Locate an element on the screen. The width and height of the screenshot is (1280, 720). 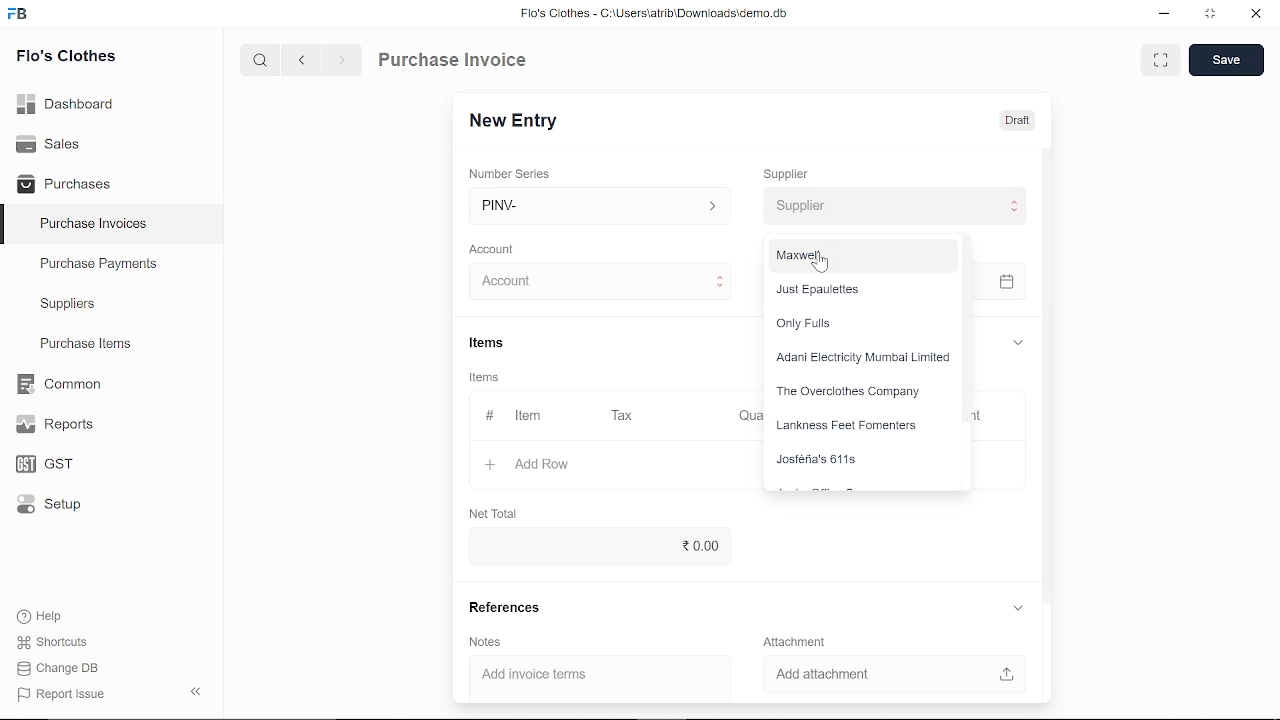
Just Epaulettes is located at coordinates (858, 287).